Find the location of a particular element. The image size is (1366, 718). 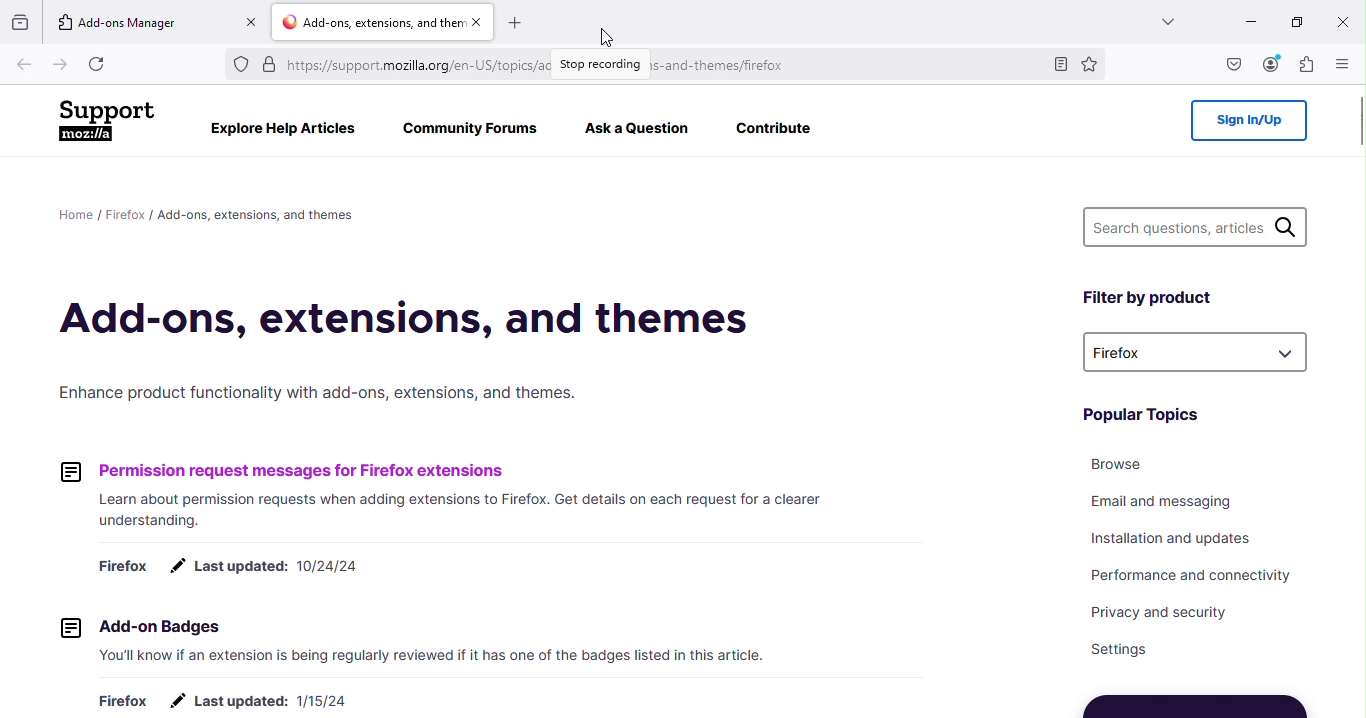

Contribute is located at coordinates (771, 130).